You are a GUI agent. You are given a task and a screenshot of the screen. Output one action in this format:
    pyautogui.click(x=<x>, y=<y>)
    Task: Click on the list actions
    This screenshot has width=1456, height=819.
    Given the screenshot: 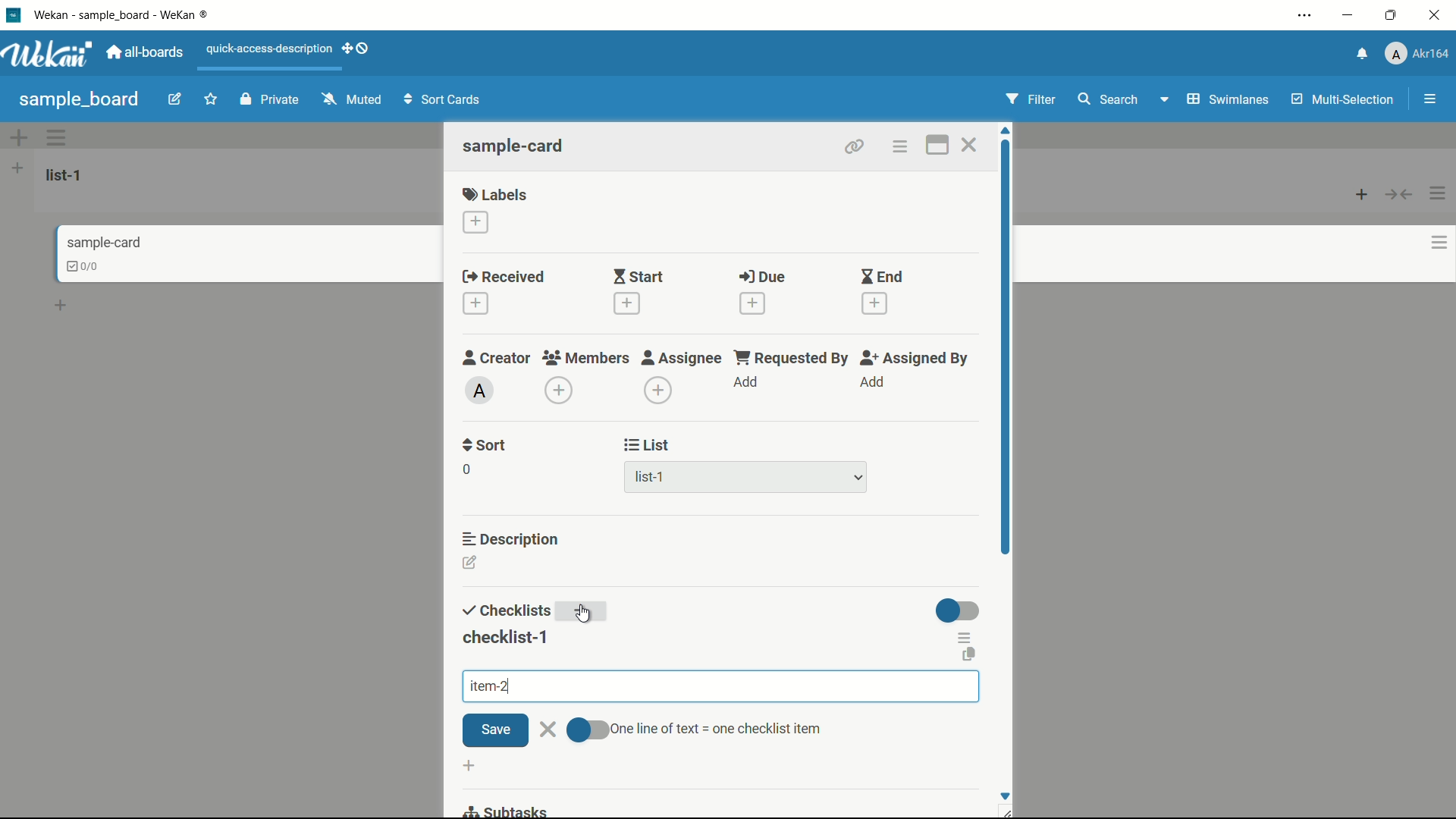 What is the action you would take?
    pyautogui.click(x=1439, y=193)
    